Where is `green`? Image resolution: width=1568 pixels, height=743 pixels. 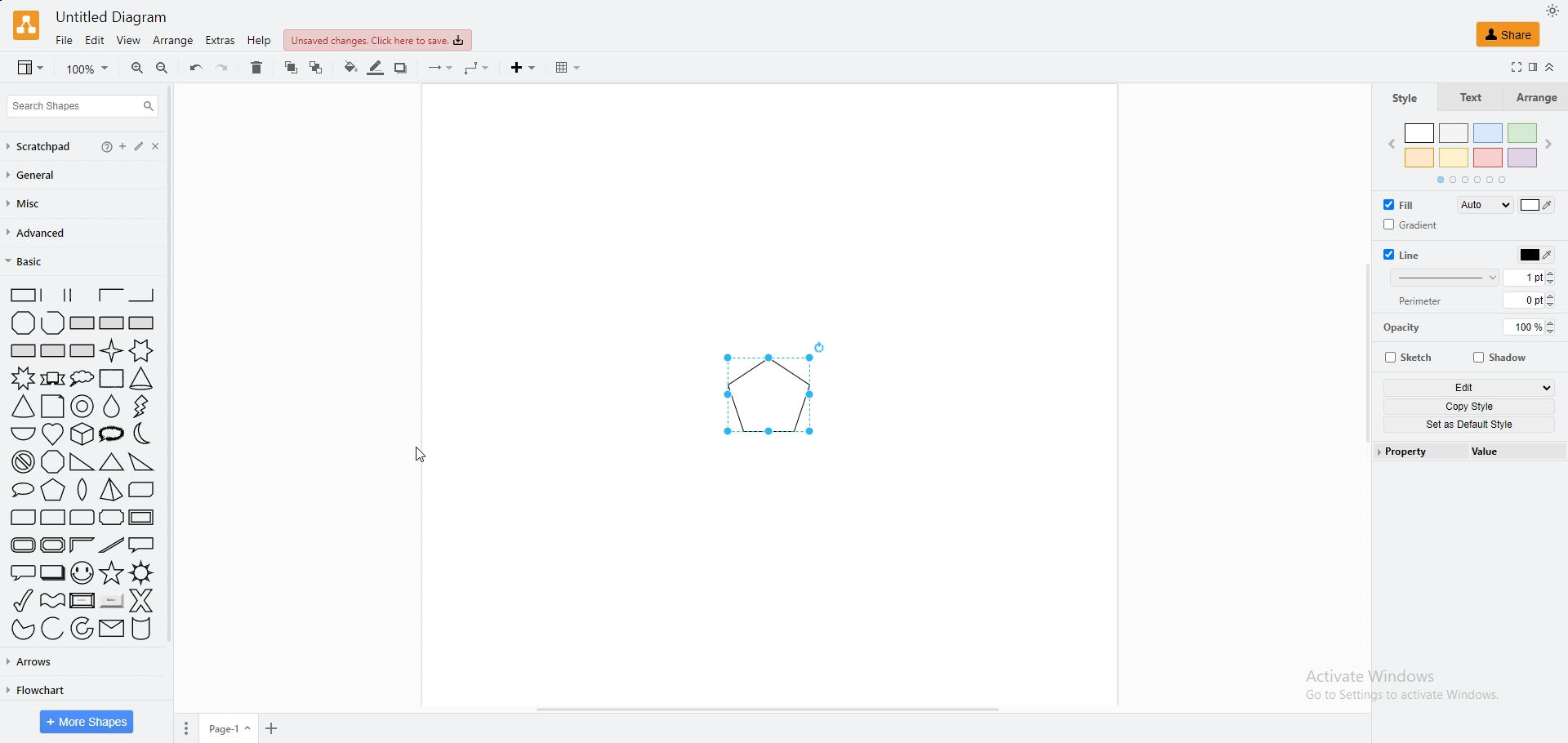
green is located at coordinates (1522, 134).